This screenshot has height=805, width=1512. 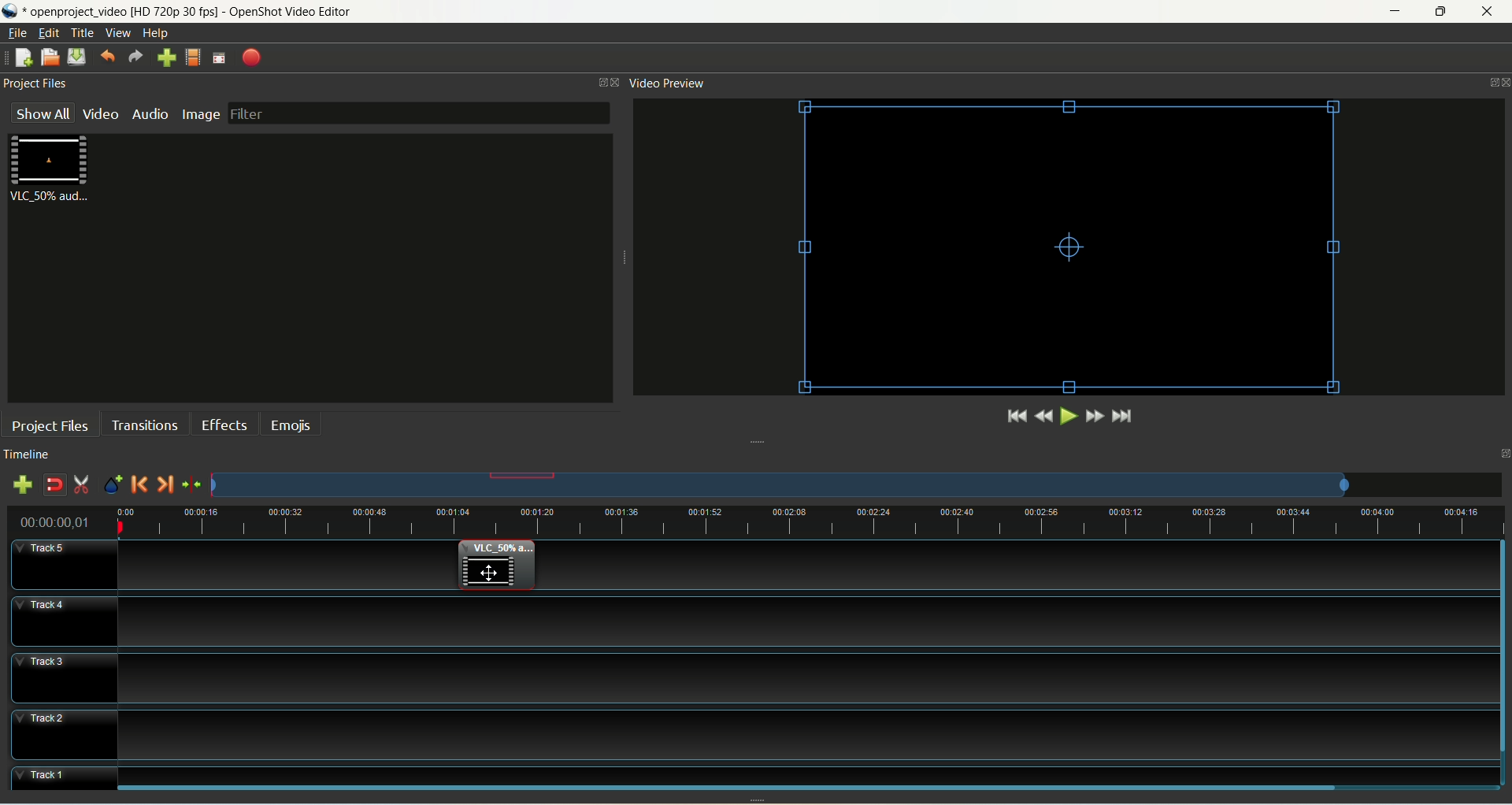 What do you see at coordinates (24, 57) in the screenshot?
I see `new project` at bounding box center [24, 57].